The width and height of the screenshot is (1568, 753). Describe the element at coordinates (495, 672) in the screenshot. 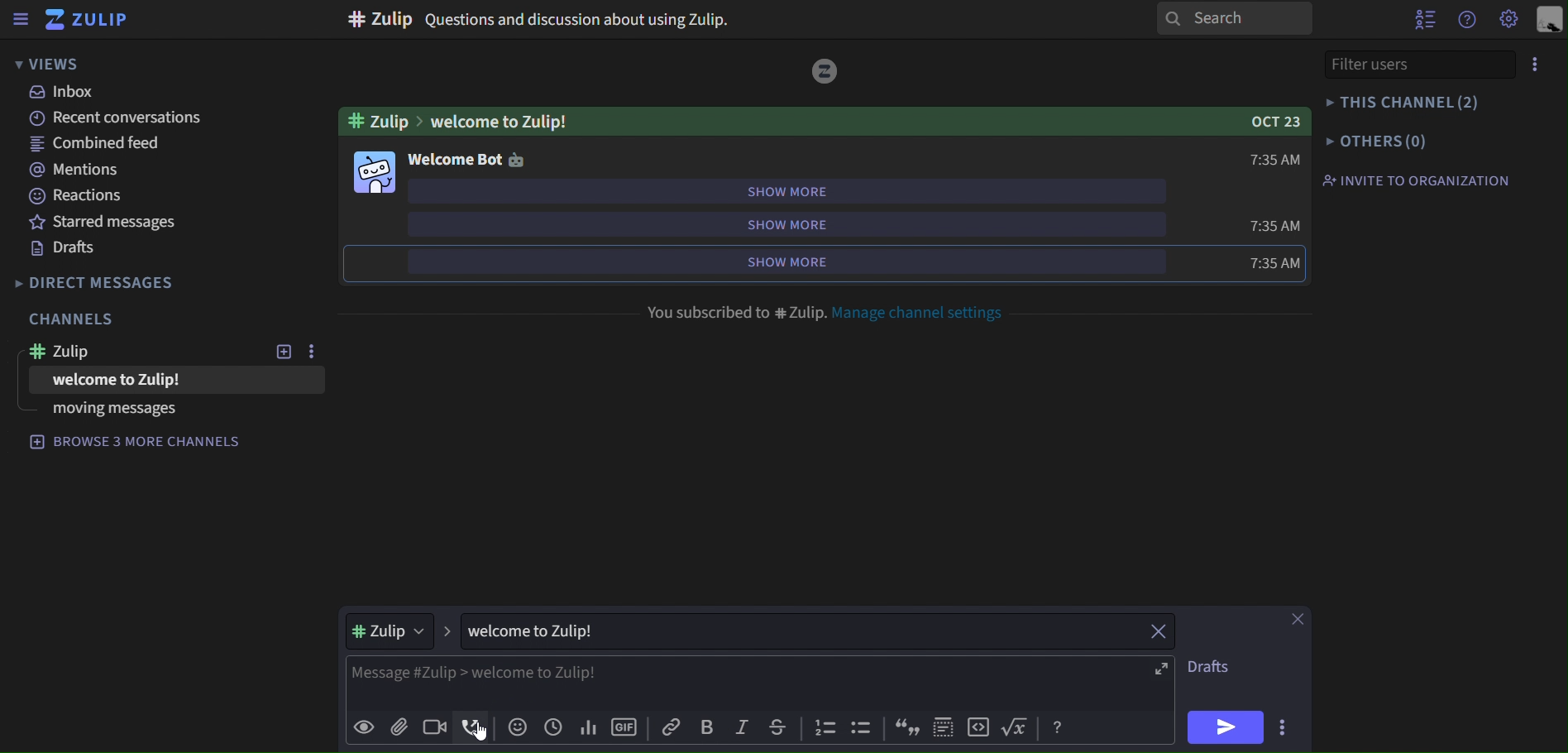

I see `message#Zulip>welcome to Zulip! ` at that location.